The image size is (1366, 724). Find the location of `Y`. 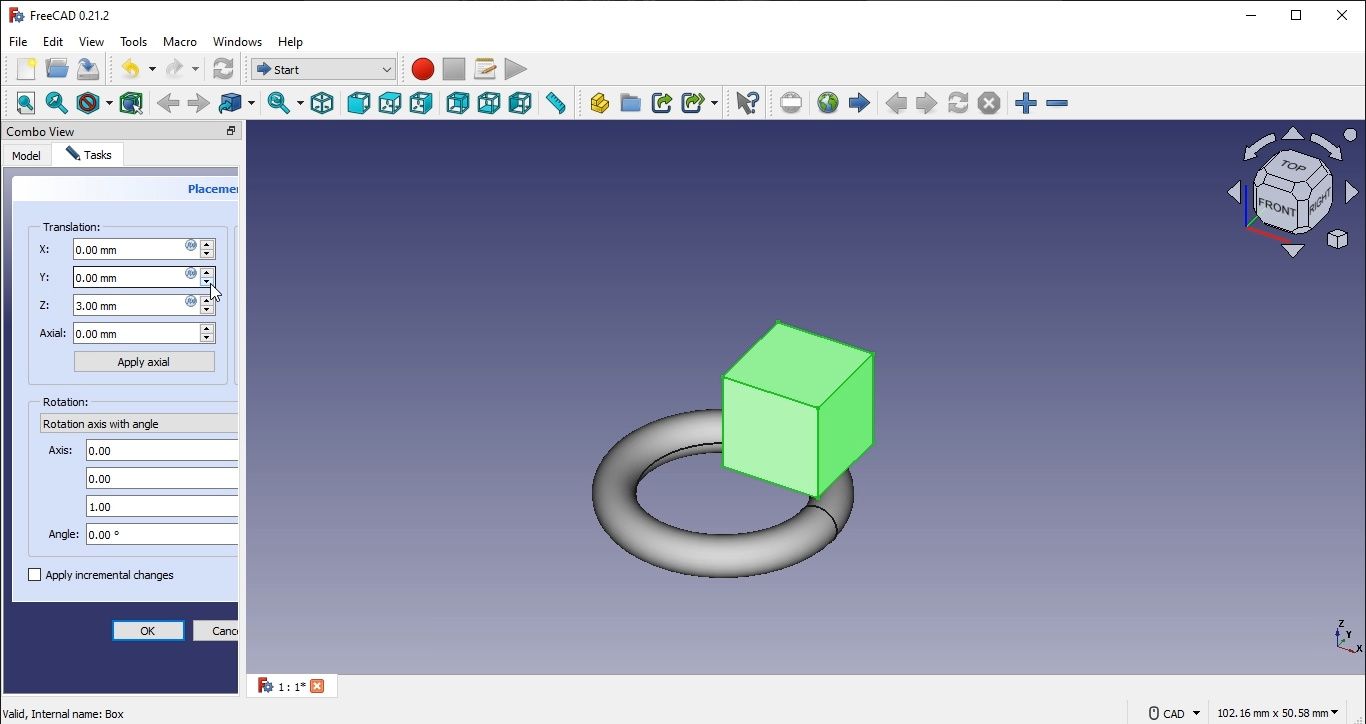

Y is located at coordinates (131, 278).